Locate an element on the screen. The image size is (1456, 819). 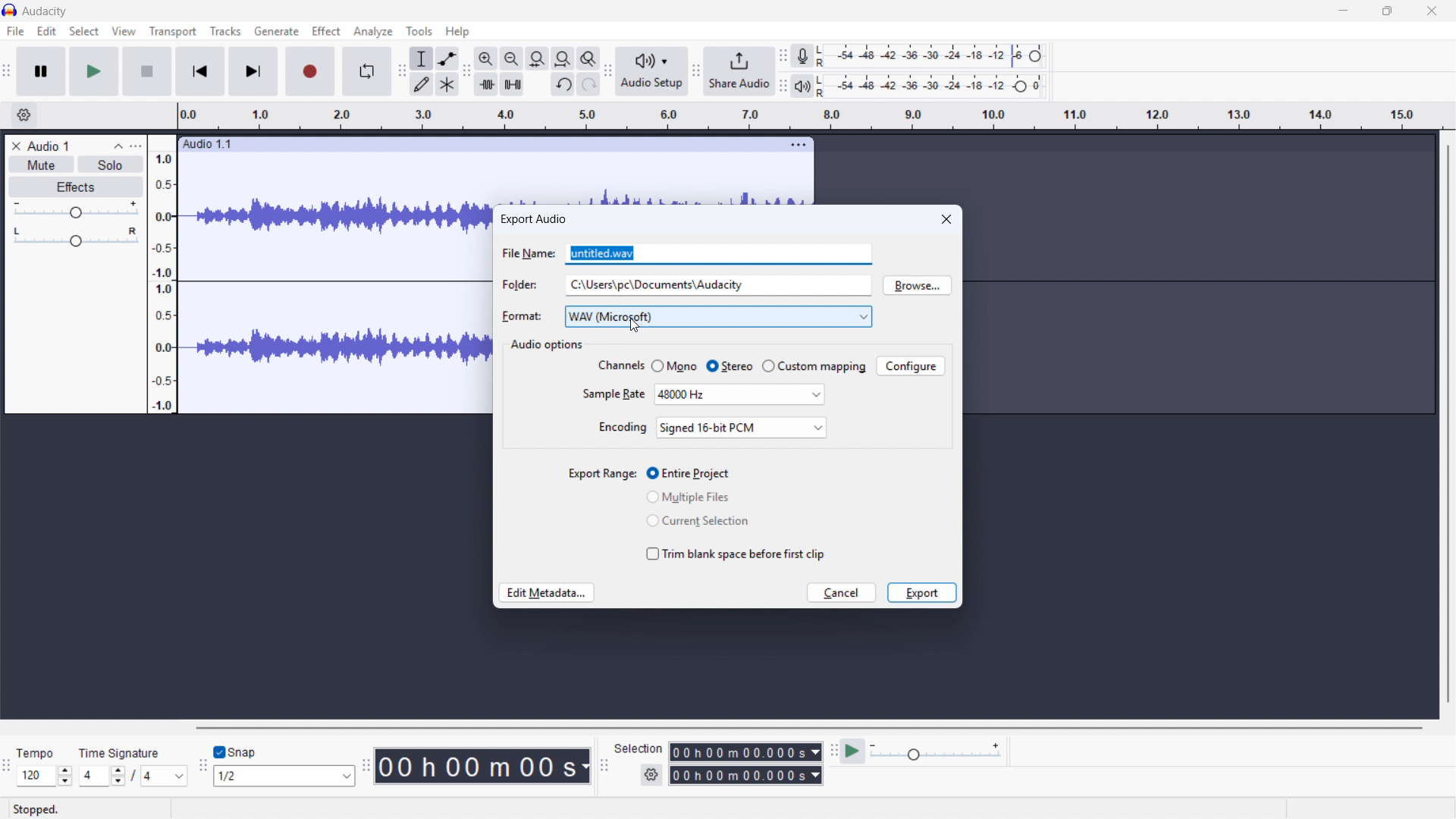
Multiple files  is located at coordinates (689, 497).